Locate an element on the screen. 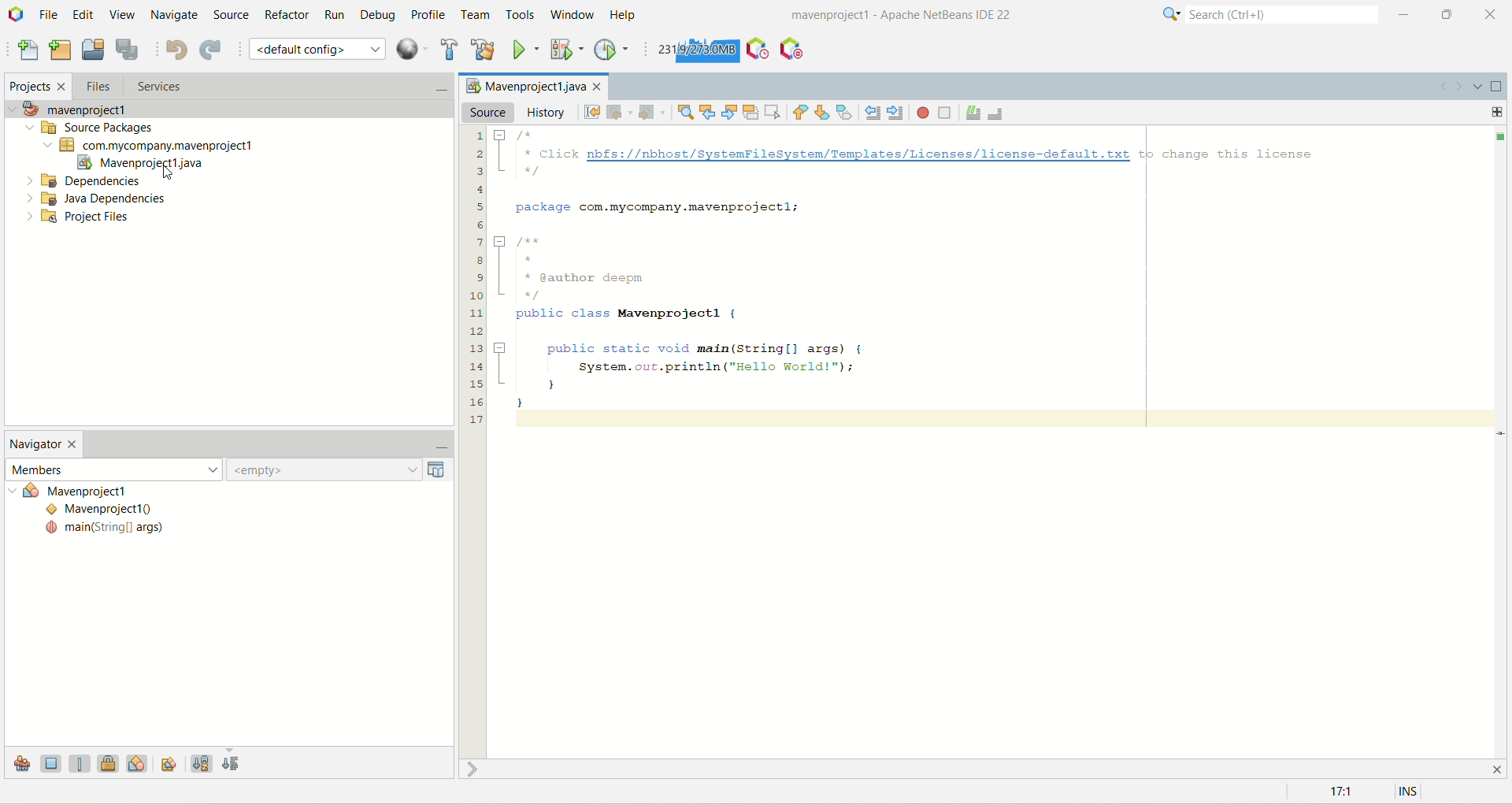 Image resolution: width=1512 pixels, height=805 pixels. sort by name is located at coordinates (201, 761).